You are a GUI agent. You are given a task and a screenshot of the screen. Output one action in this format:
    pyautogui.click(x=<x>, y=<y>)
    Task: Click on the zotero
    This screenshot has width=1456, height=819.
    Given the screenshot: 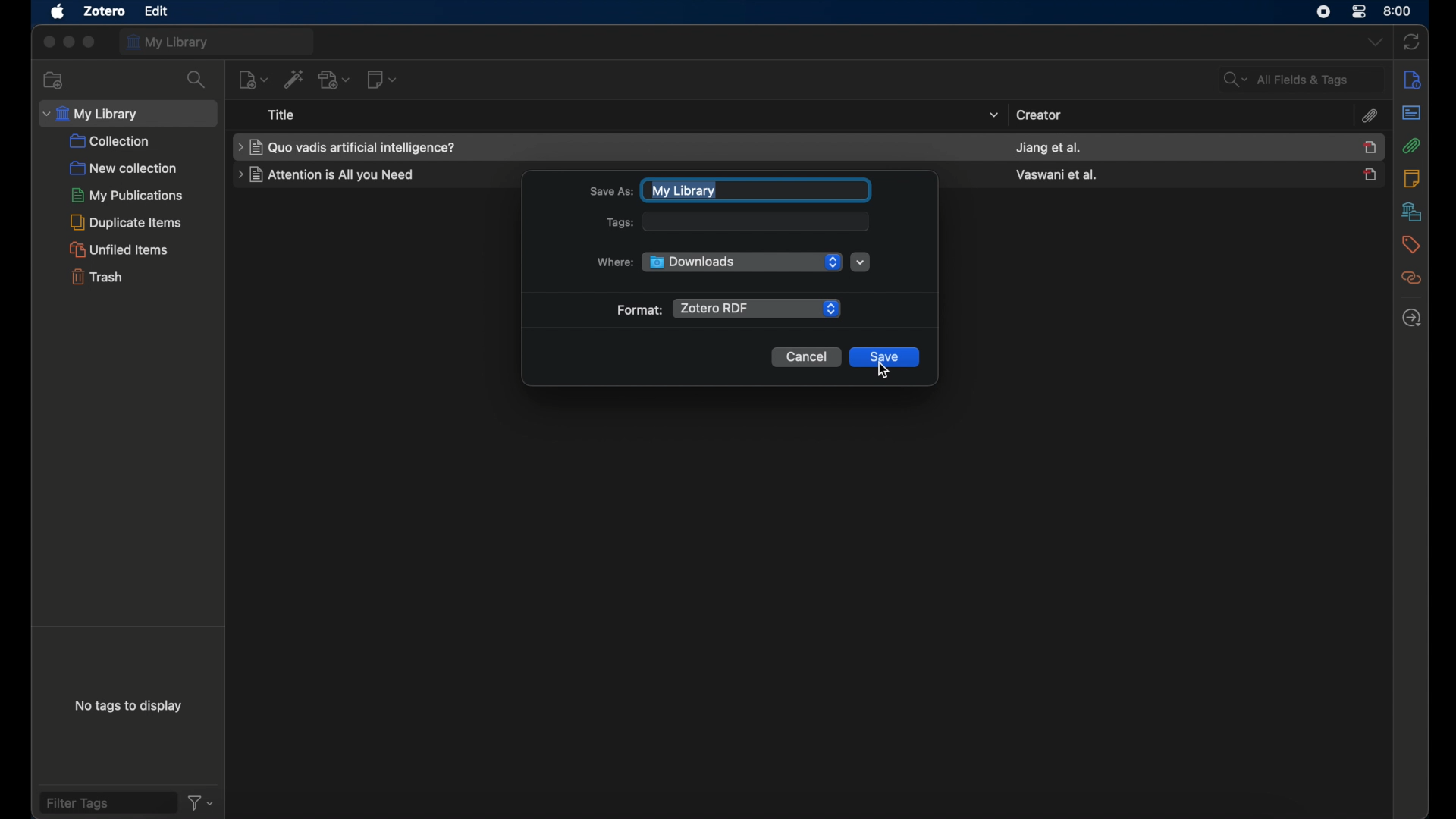 What is the action you would take?
    pyautogui.click(x=102, y=11)
    